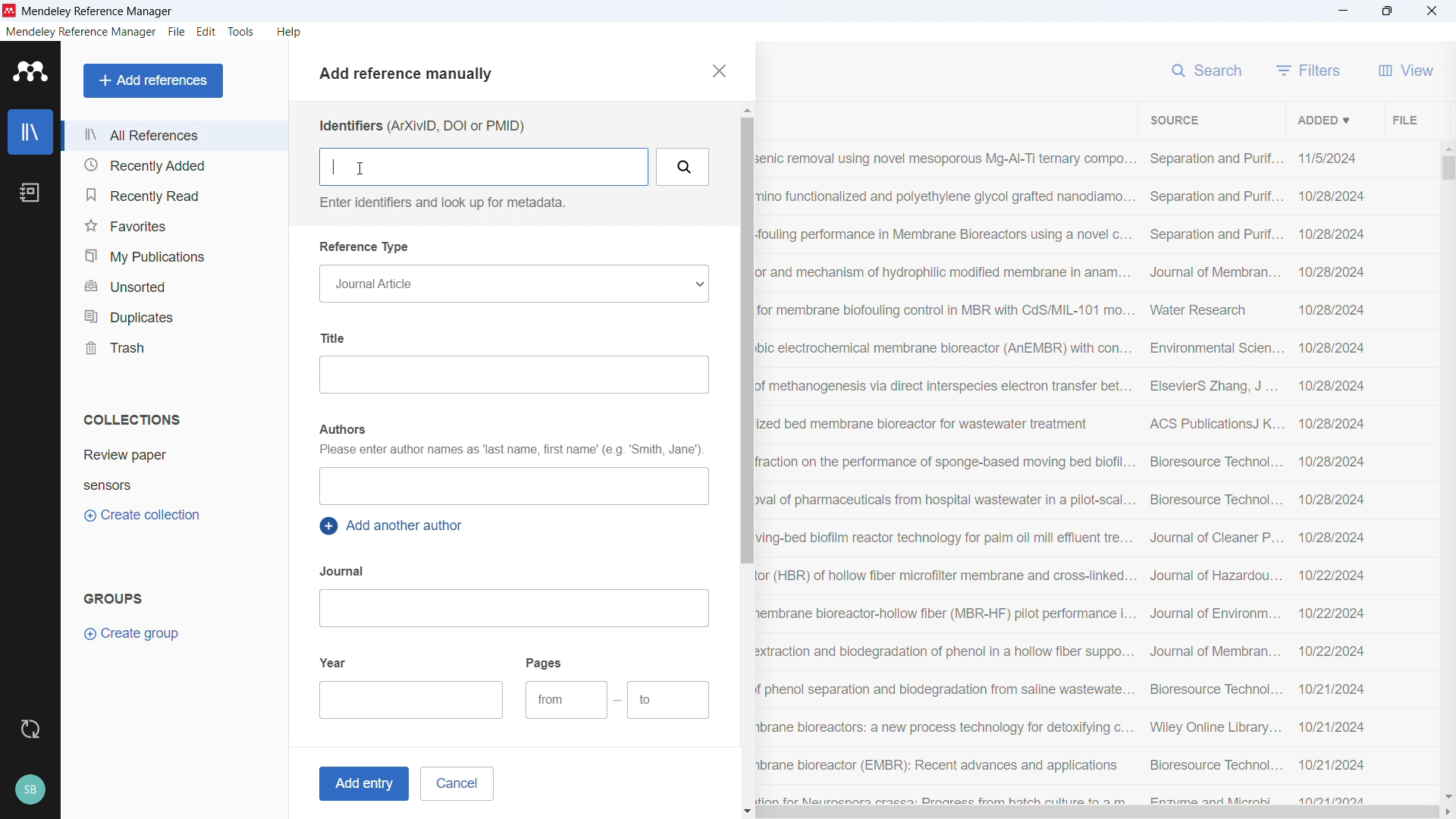 This screenshot has height=819, width=1456. What do you see at coordinates (171, 165) in the screenshot?
I see `Recently added ` at bounding box center [171, 165].